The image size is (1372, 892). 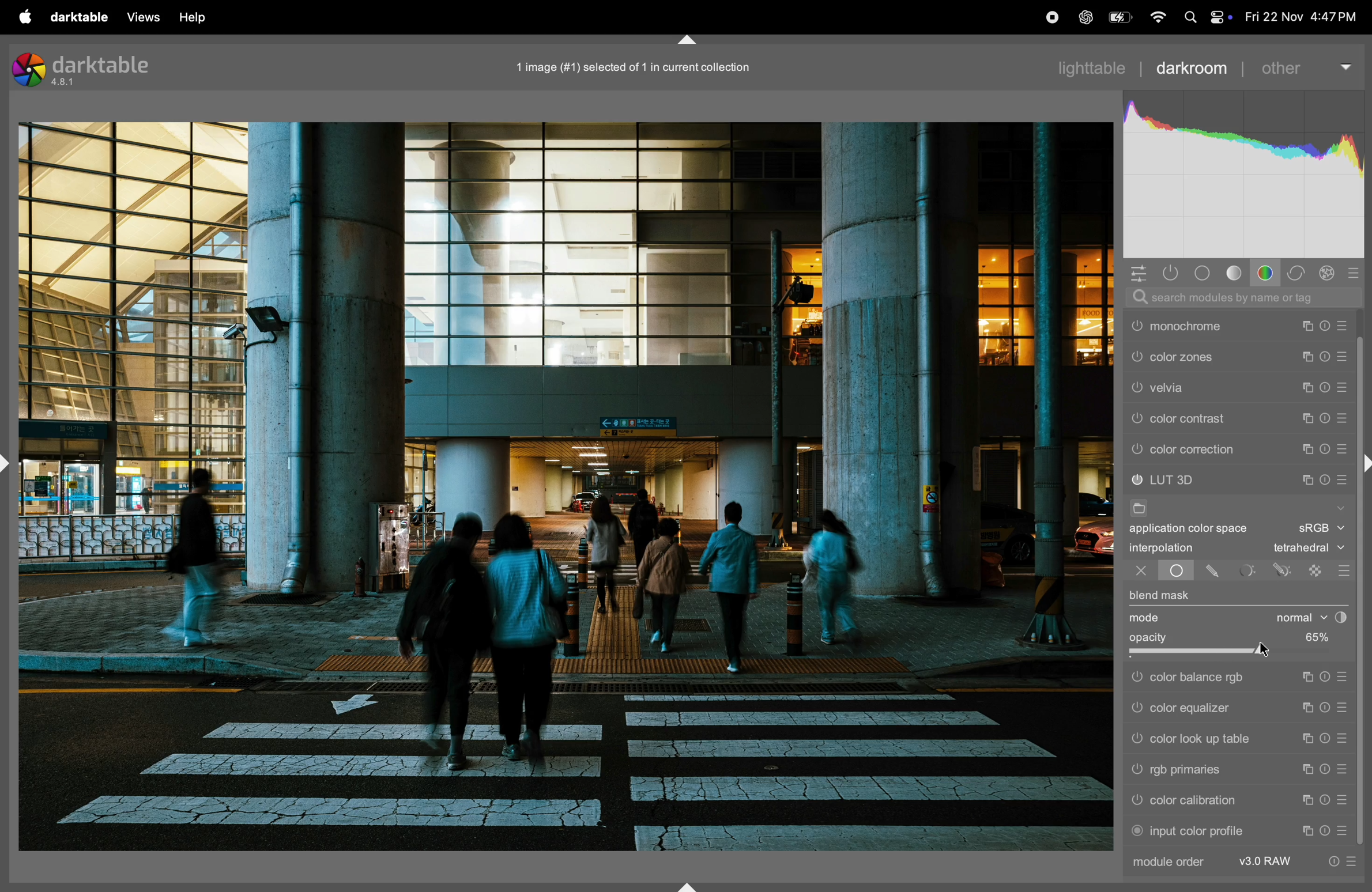 What do you see at coordinates (1246, 298) in the screenshot?
I see `search bar` at bounding box center [1246, 298].